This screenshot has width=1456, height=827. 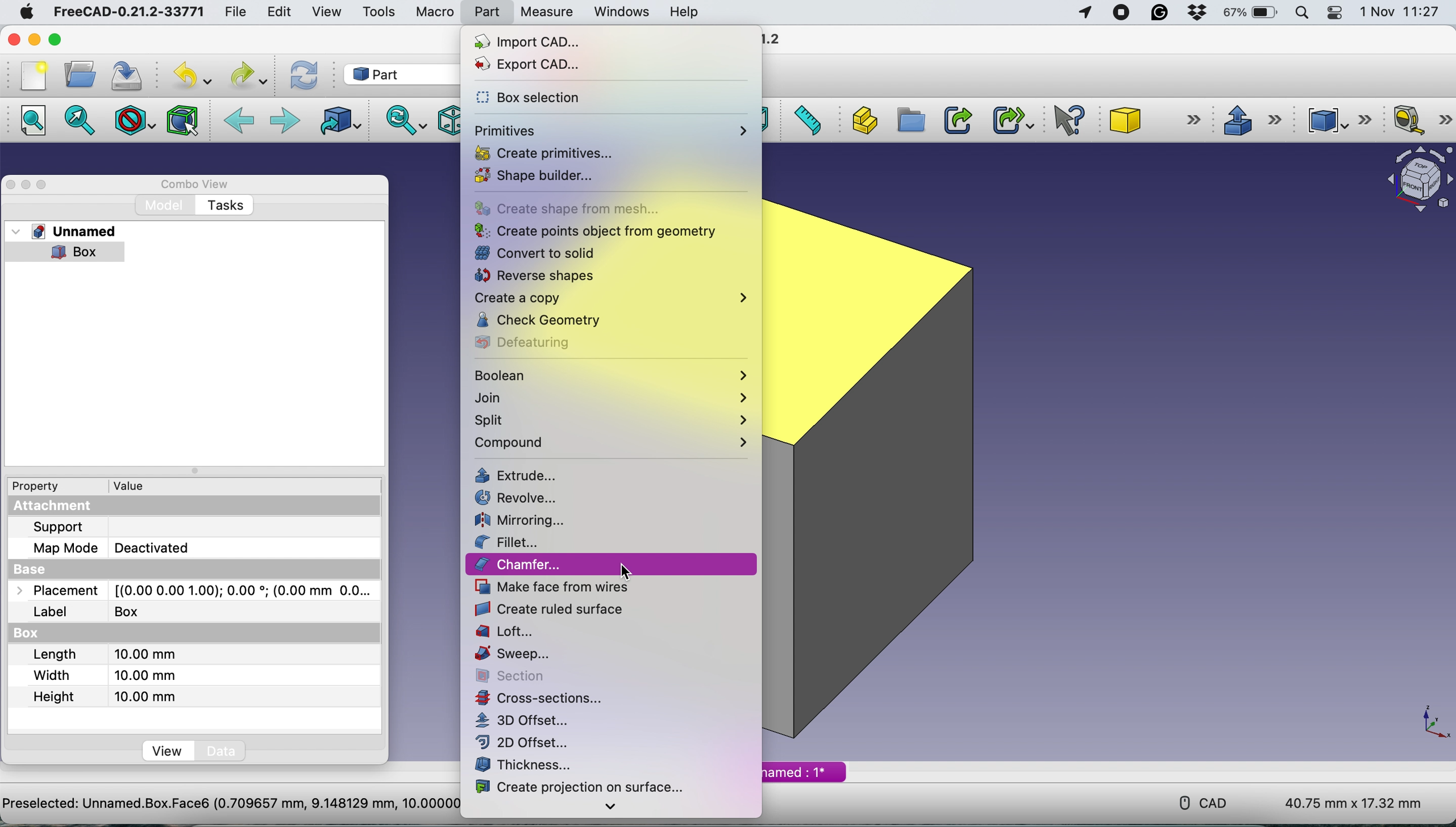 What do you see at coordinates (1305, 15) in the screenshot?
I see `spotlight searc` at bounding box center [1305, 15].